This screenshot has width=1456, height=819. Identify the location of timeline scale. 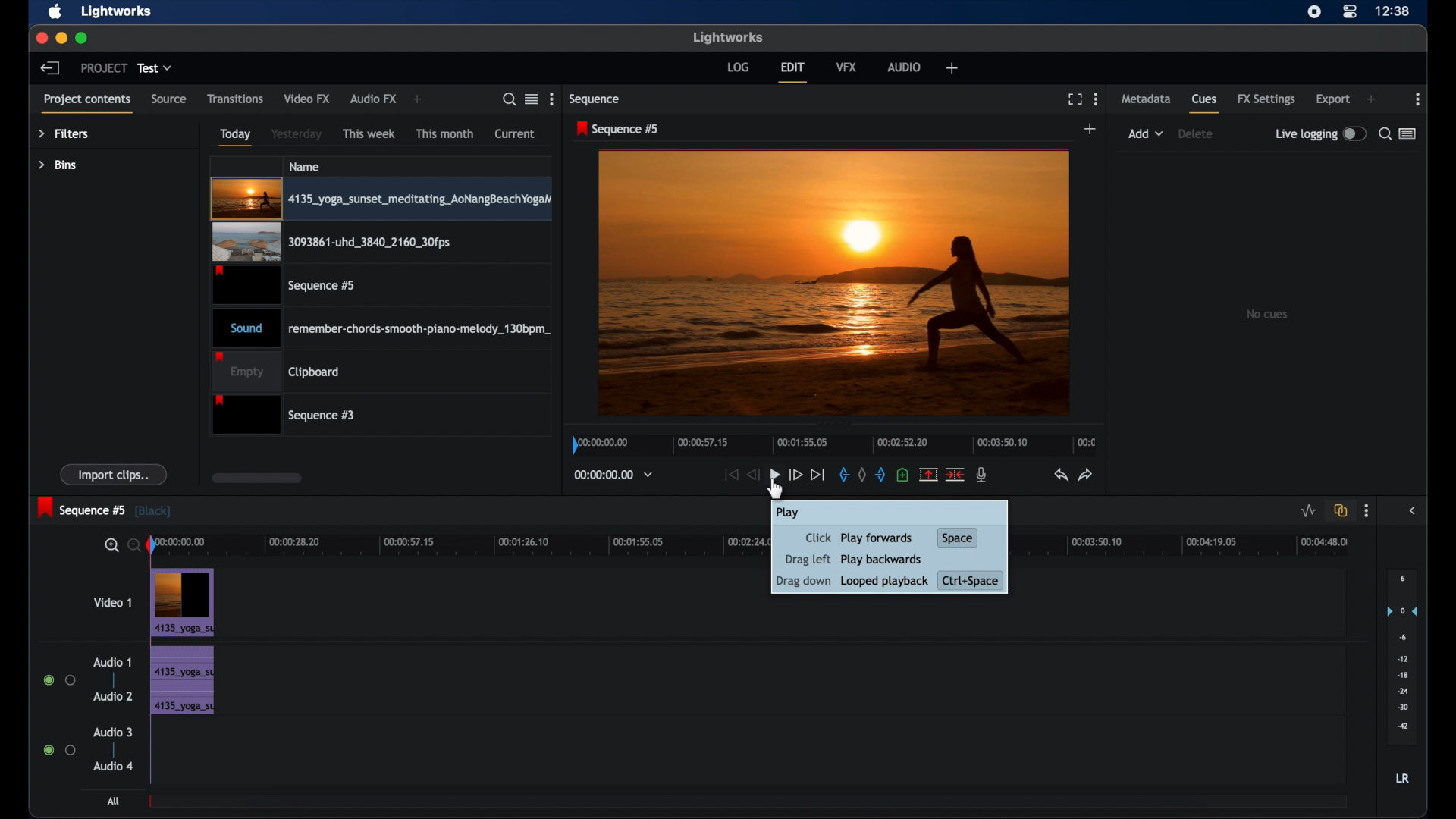
(460, 544).